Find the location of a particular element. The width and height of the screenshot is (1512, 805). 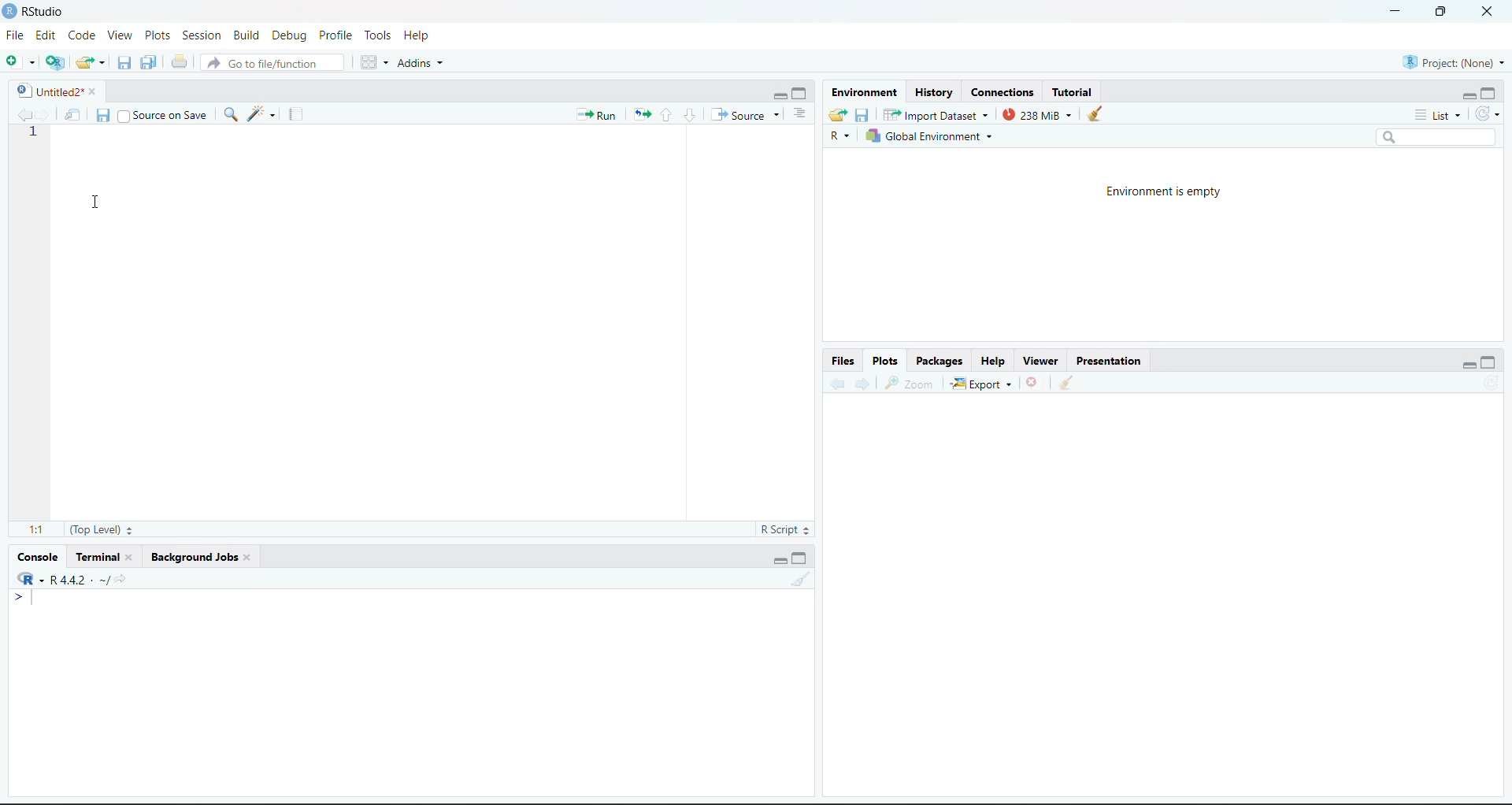

search file is located at coordinates (271, 63).